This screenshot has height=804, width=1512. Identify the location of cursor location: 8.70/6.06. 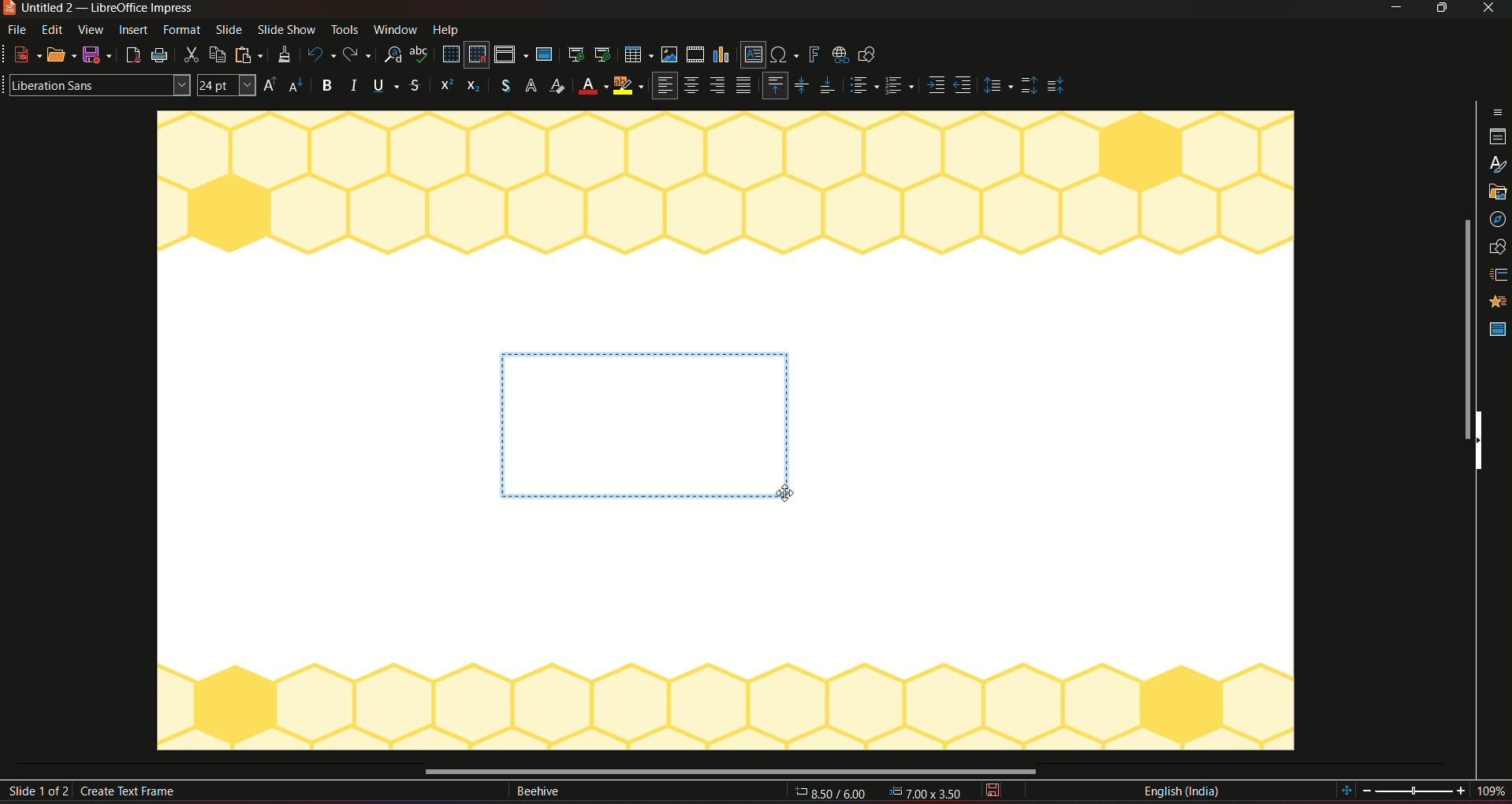
(832, 795).